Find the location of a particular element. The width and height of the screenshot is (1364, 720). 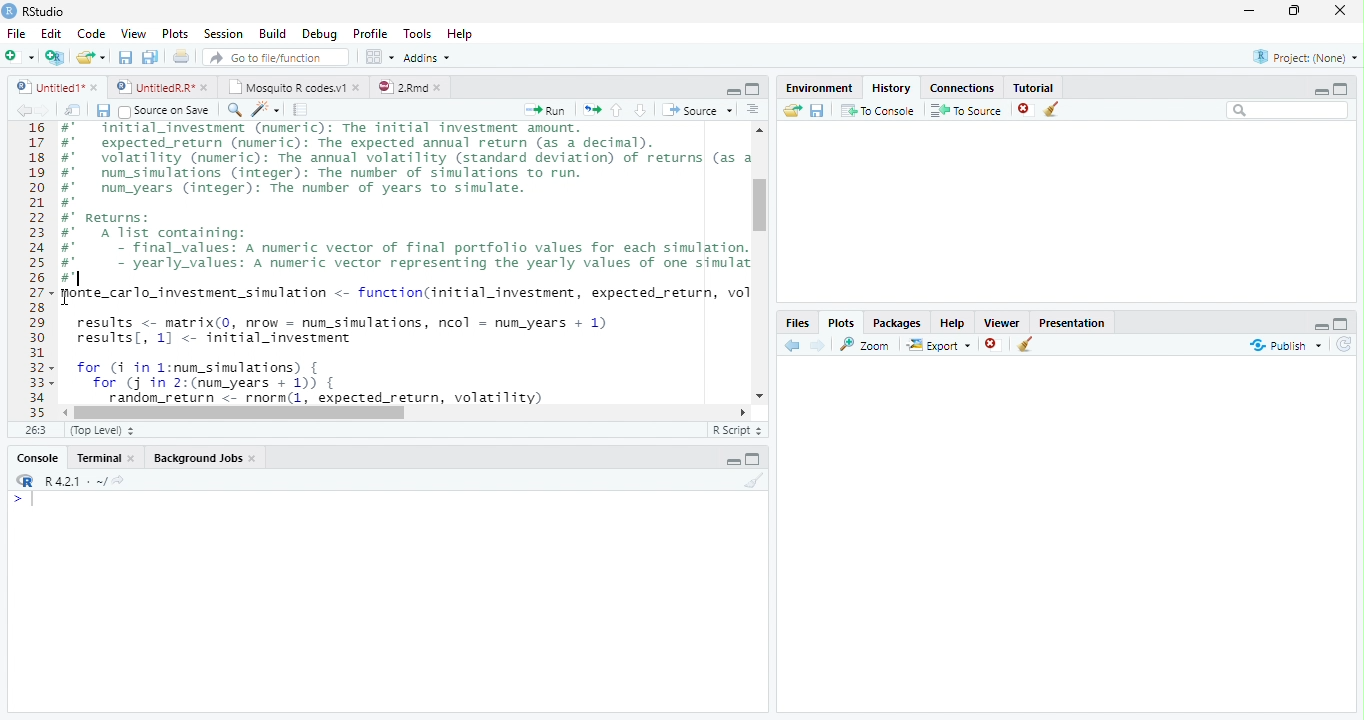

View is located at coordinates (132, 32).